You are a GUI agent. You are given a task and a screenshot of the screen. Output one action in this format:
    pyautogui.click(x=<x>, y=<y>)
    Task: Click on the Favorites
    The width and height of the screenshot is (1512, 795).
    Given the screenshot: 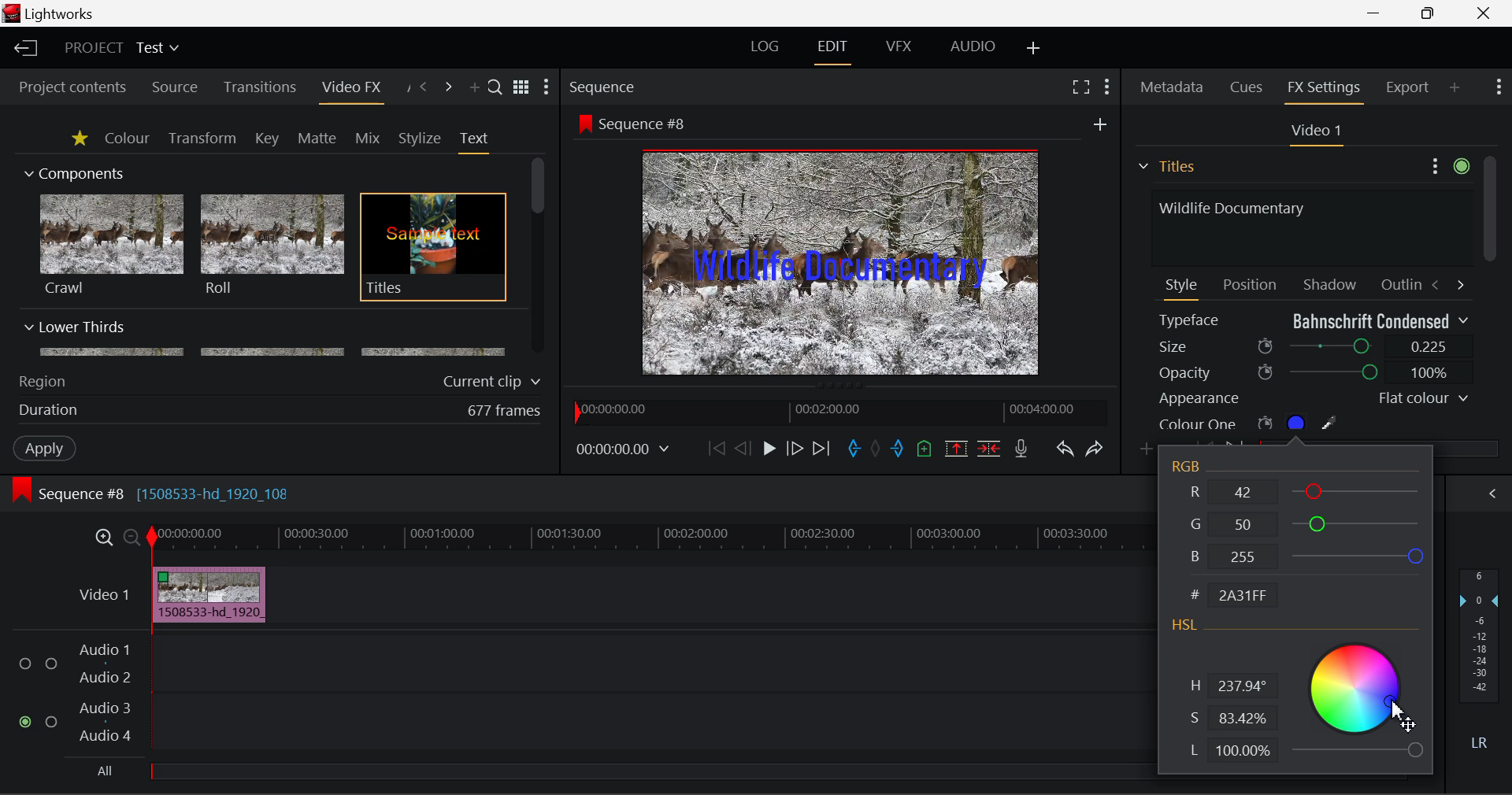 What is the action you would take?
    pyautogui.click(x=81, y=139)
    